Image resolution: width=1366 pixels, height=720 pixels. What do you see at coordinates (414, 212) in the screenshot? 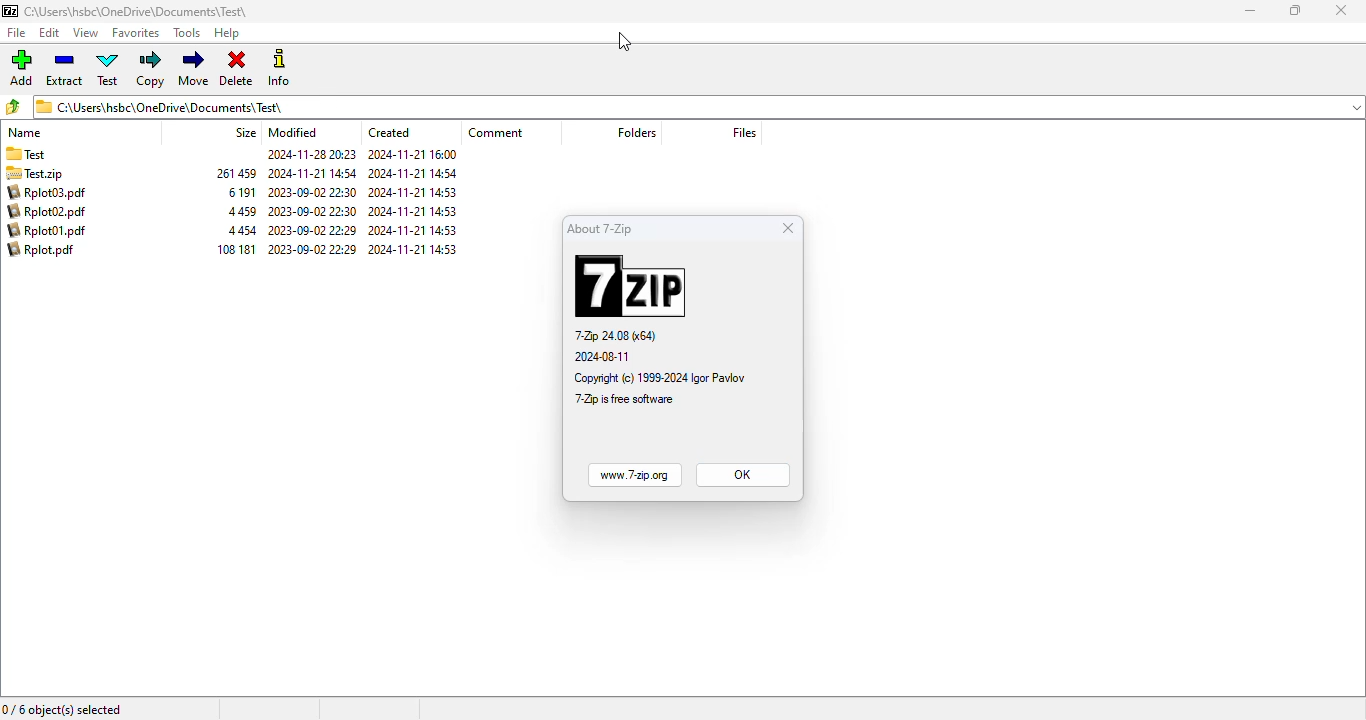
I see `2024-11-21 14:53` at bounding box center [414, 212].